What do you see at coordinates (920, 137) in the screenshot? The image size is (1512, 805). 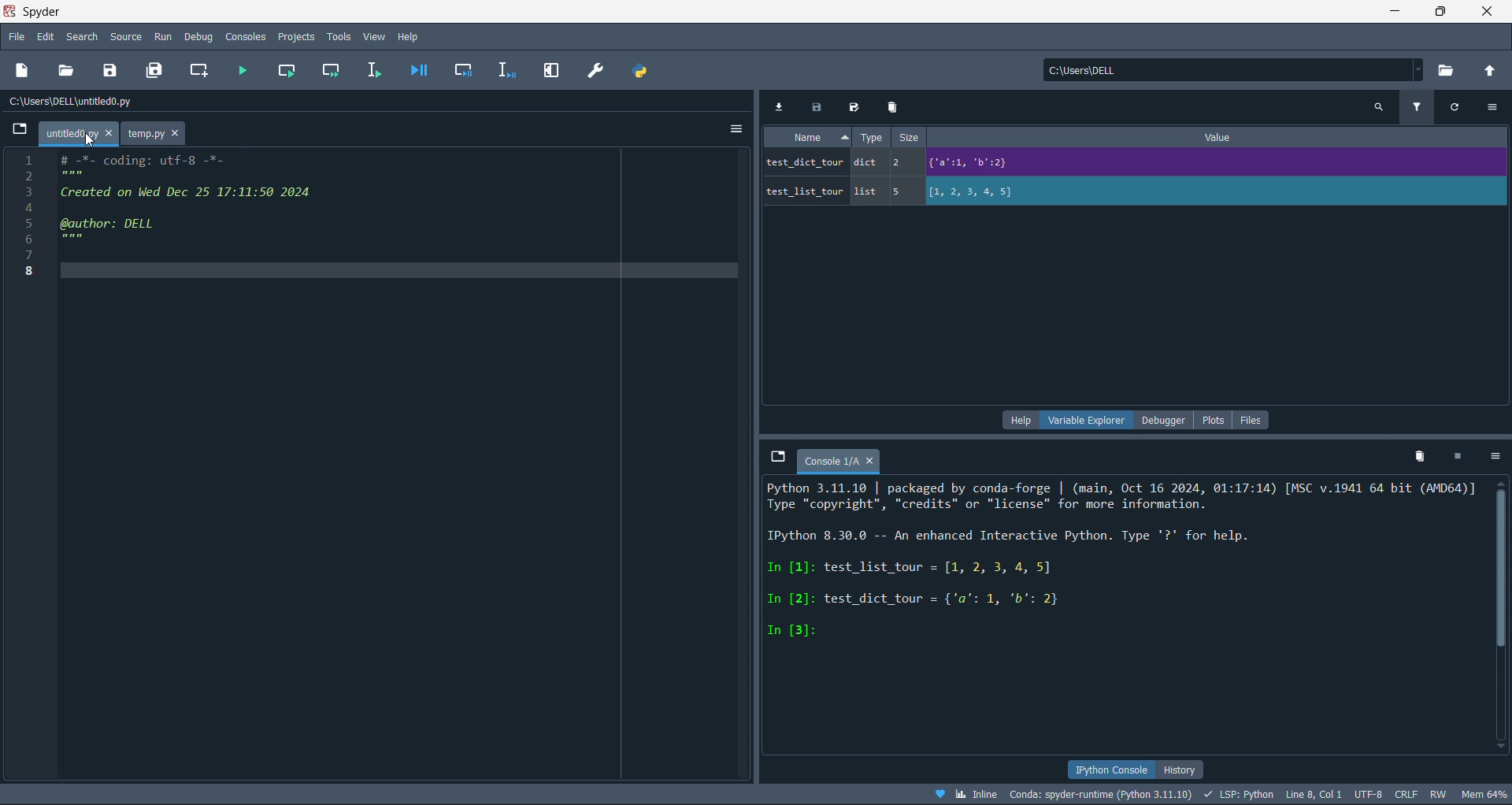 I see `size` at bounding box center [920, 137].